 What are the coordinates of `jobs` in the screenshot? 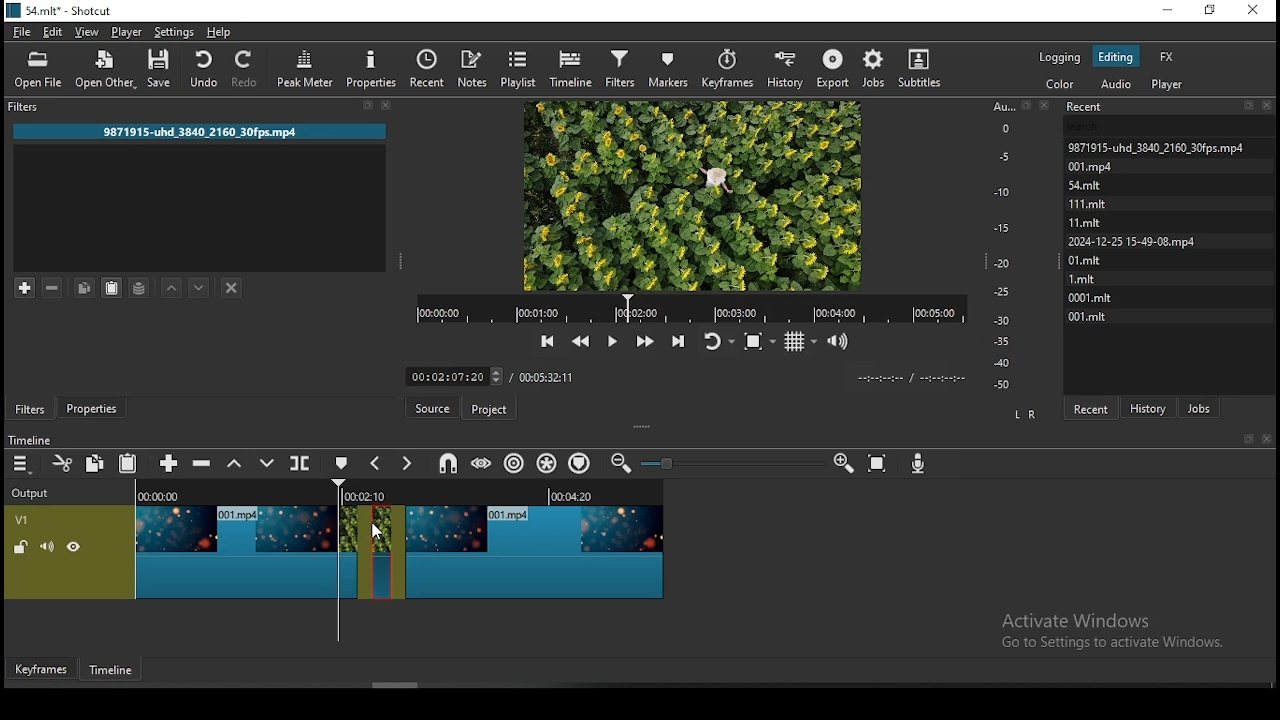 It's located at (1199, 408).